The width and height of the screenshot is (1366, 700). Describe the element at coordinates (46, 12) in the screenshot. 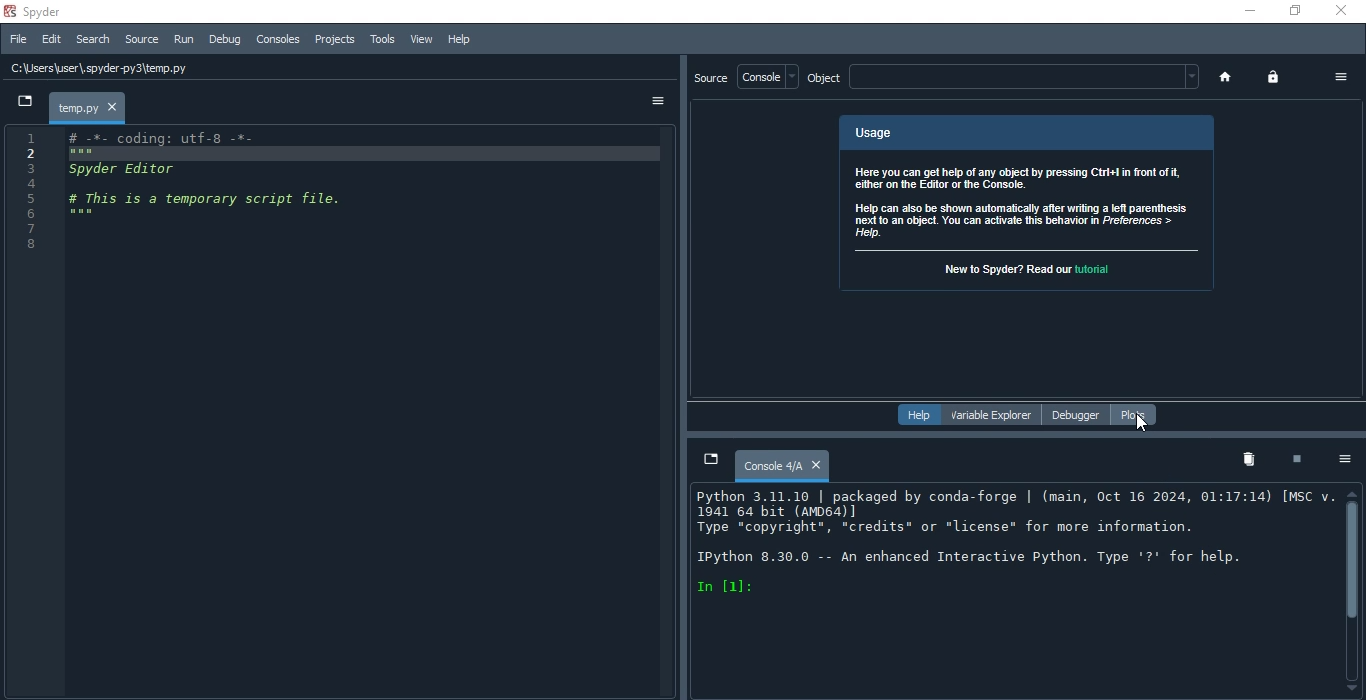

I see `Spyder` at that location.